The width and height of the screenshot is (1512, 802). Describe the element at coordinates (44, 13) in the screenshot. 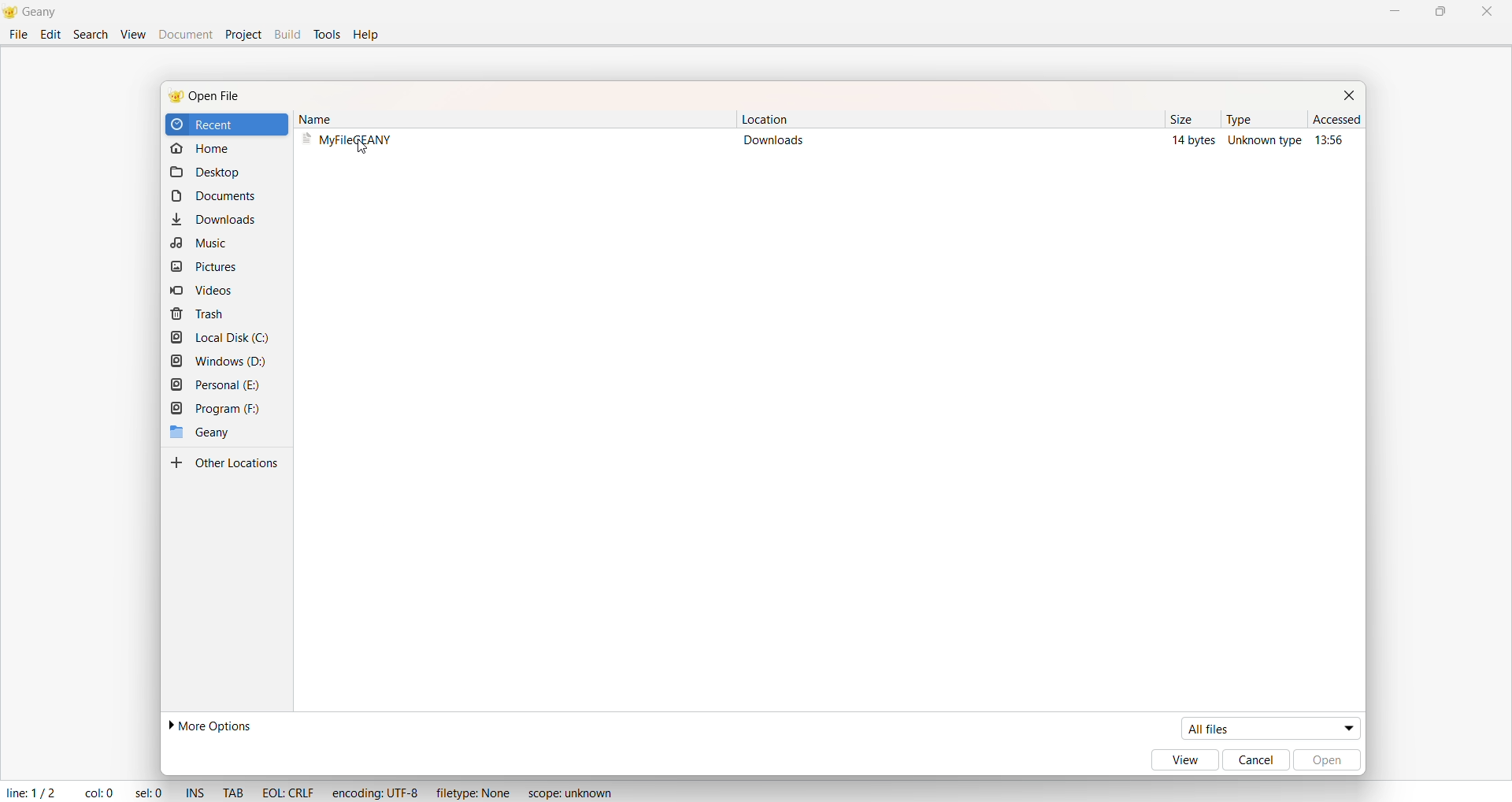

I see `Title` at that location.